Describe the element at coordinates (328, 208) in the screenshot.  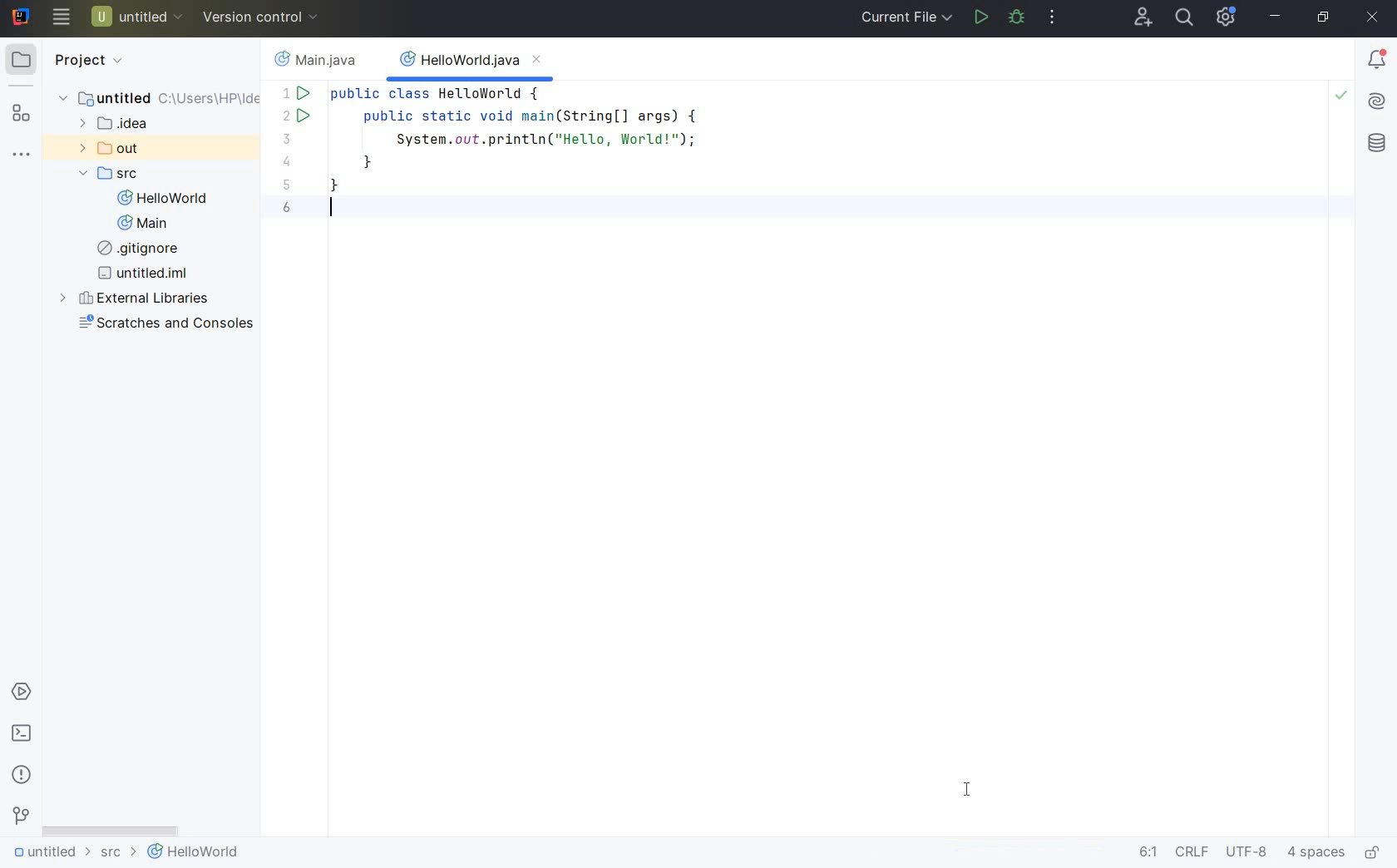
I see `Text Cursor` at that location.